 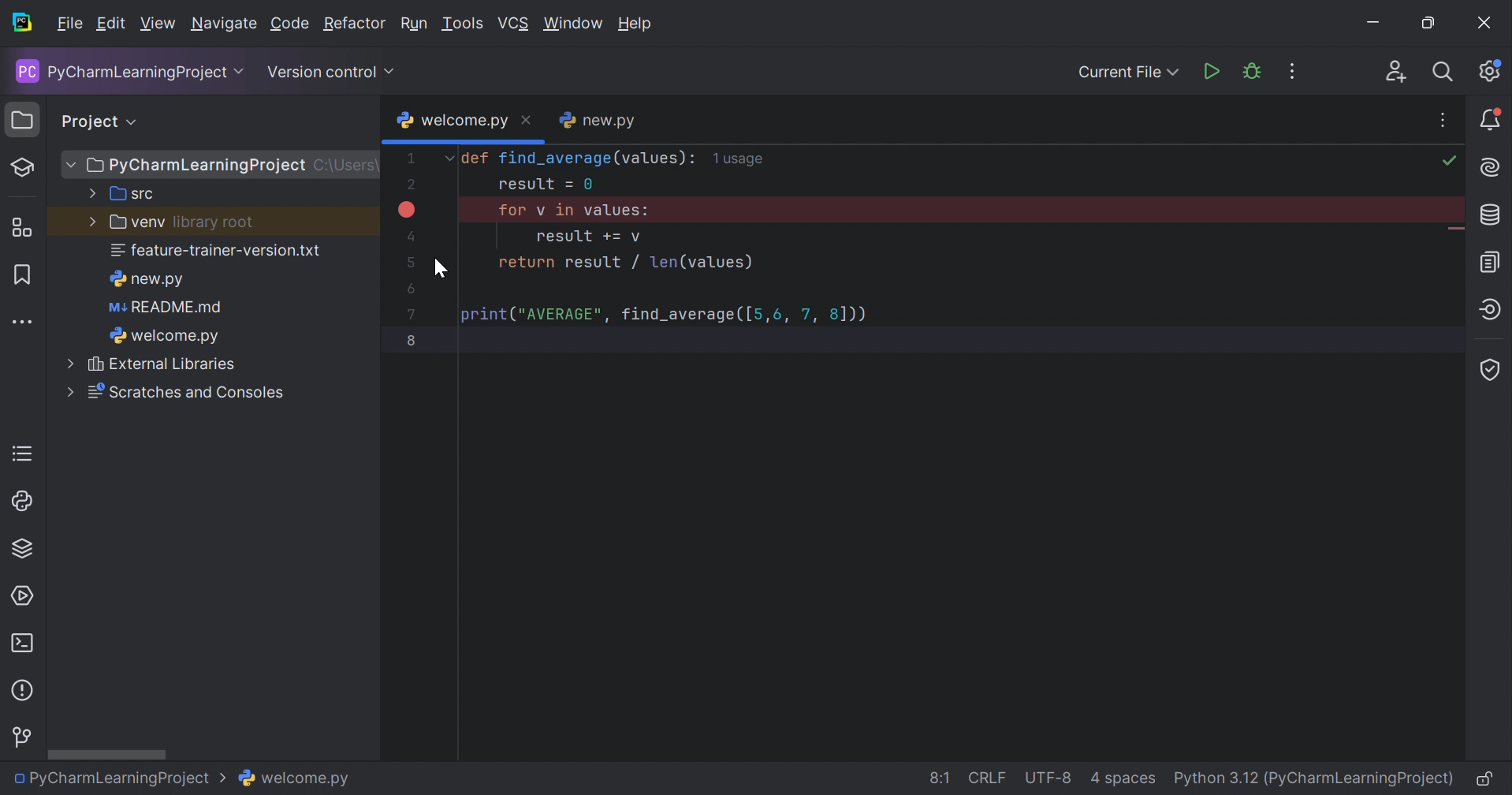 I want to click on Help, so click(x=637, y=24).